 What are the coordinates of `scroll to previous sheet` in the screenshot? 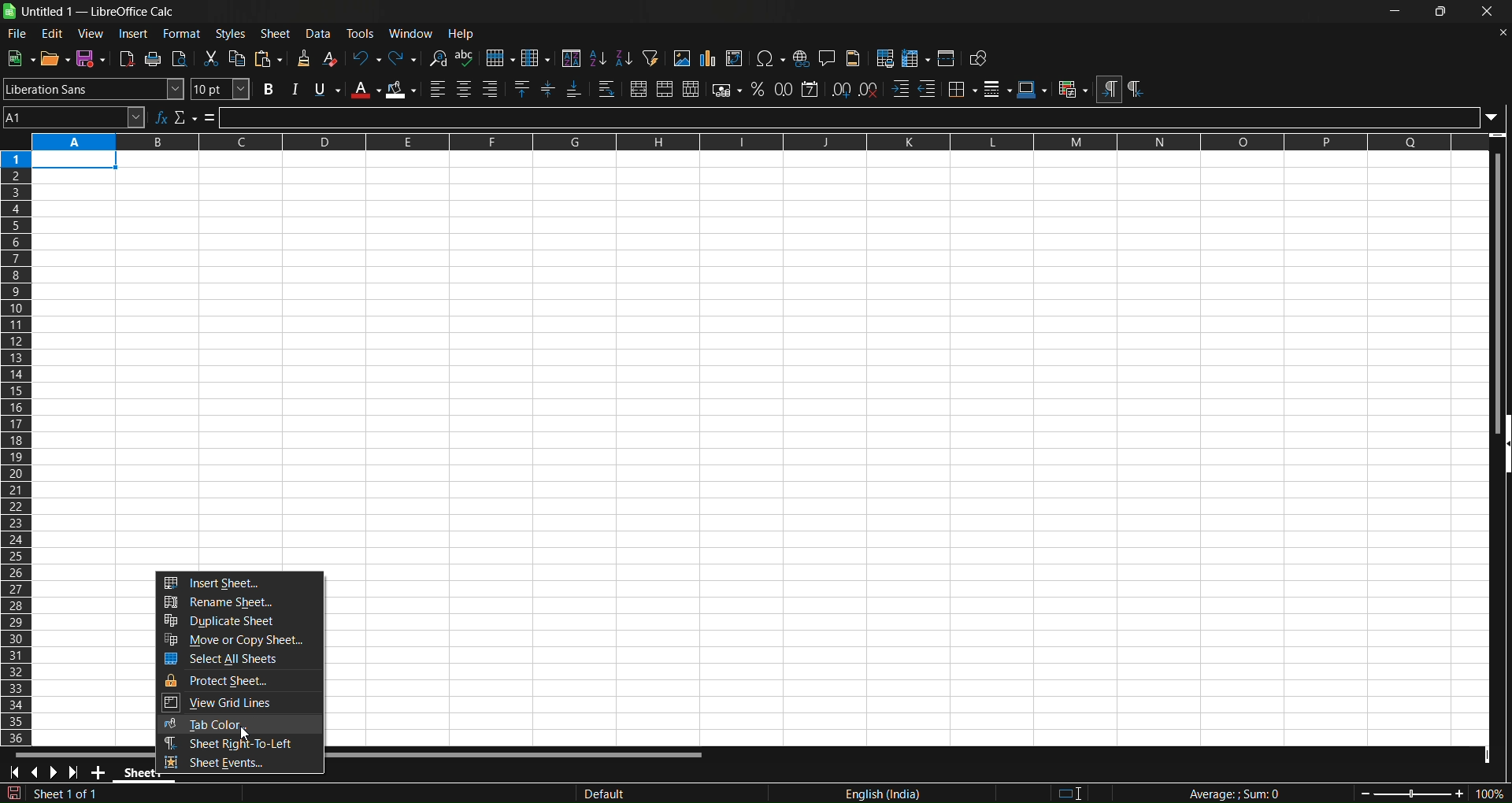 It's located at (38, 774).